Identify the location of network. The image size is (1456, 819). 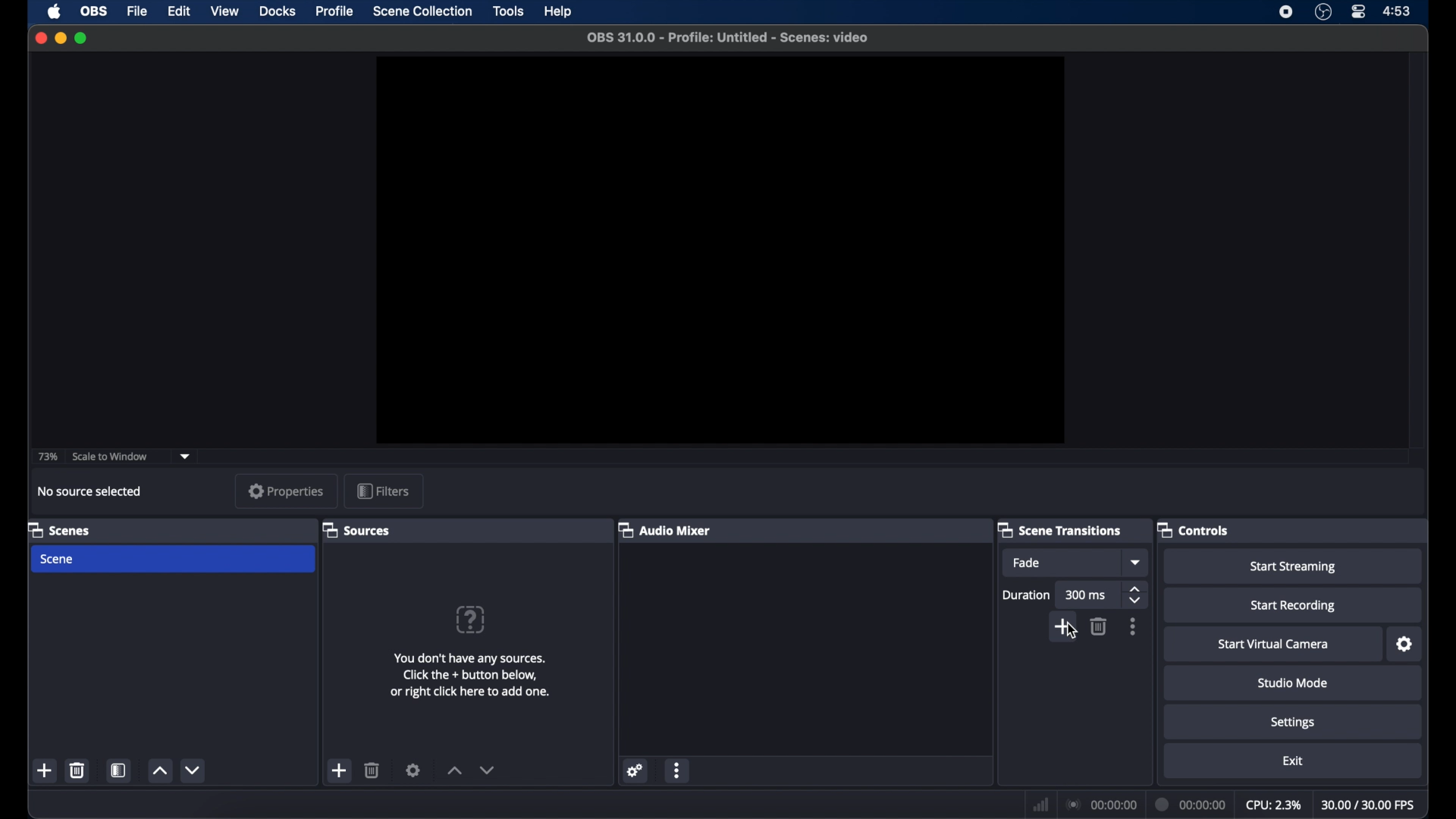
(1039, 803).